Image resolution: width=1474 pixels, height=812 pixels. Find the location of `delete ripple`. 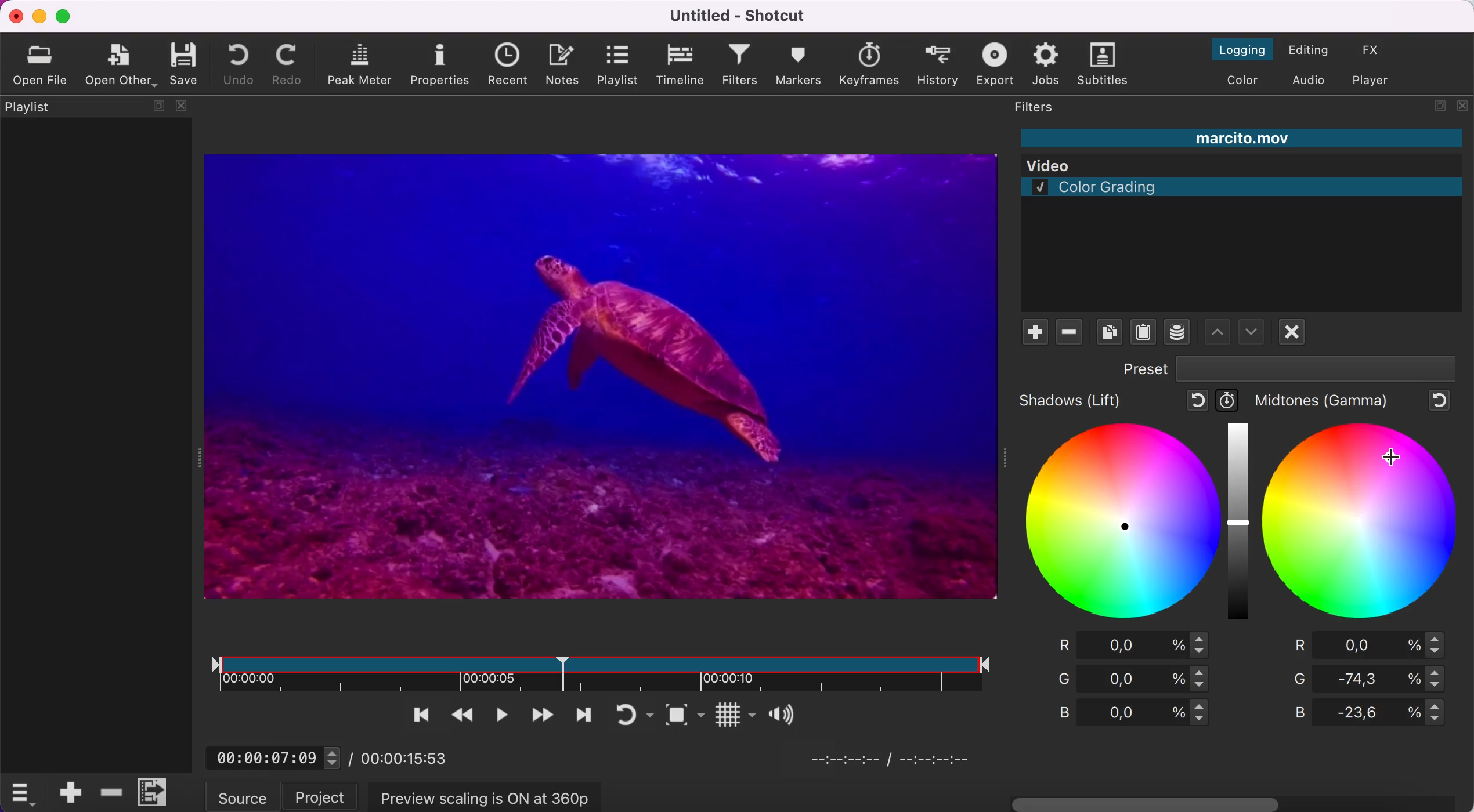

delete ripple is located at coordinates (110, 793).